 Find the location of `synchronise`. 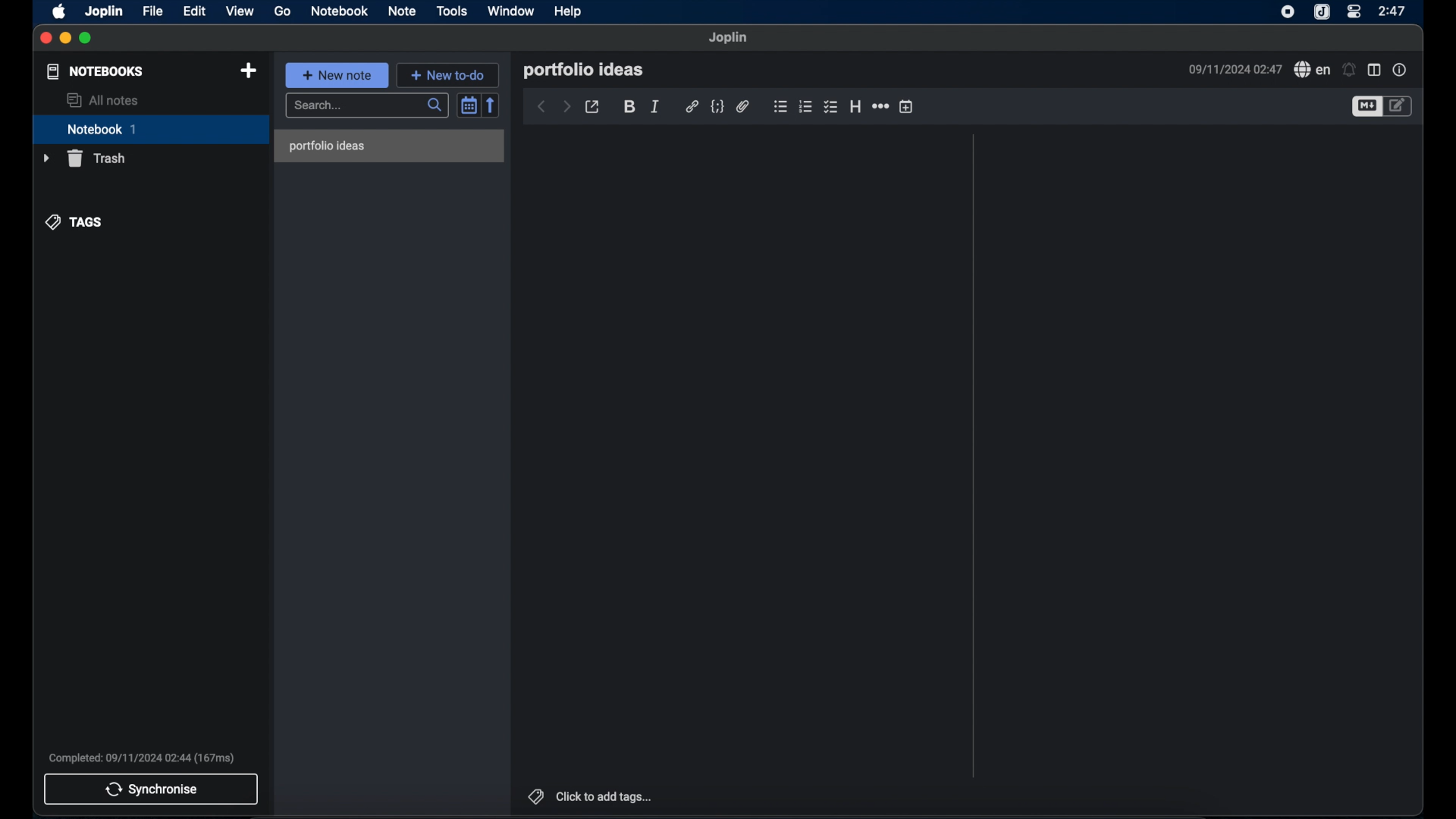

synchronise is located at coordinates (152, 789).